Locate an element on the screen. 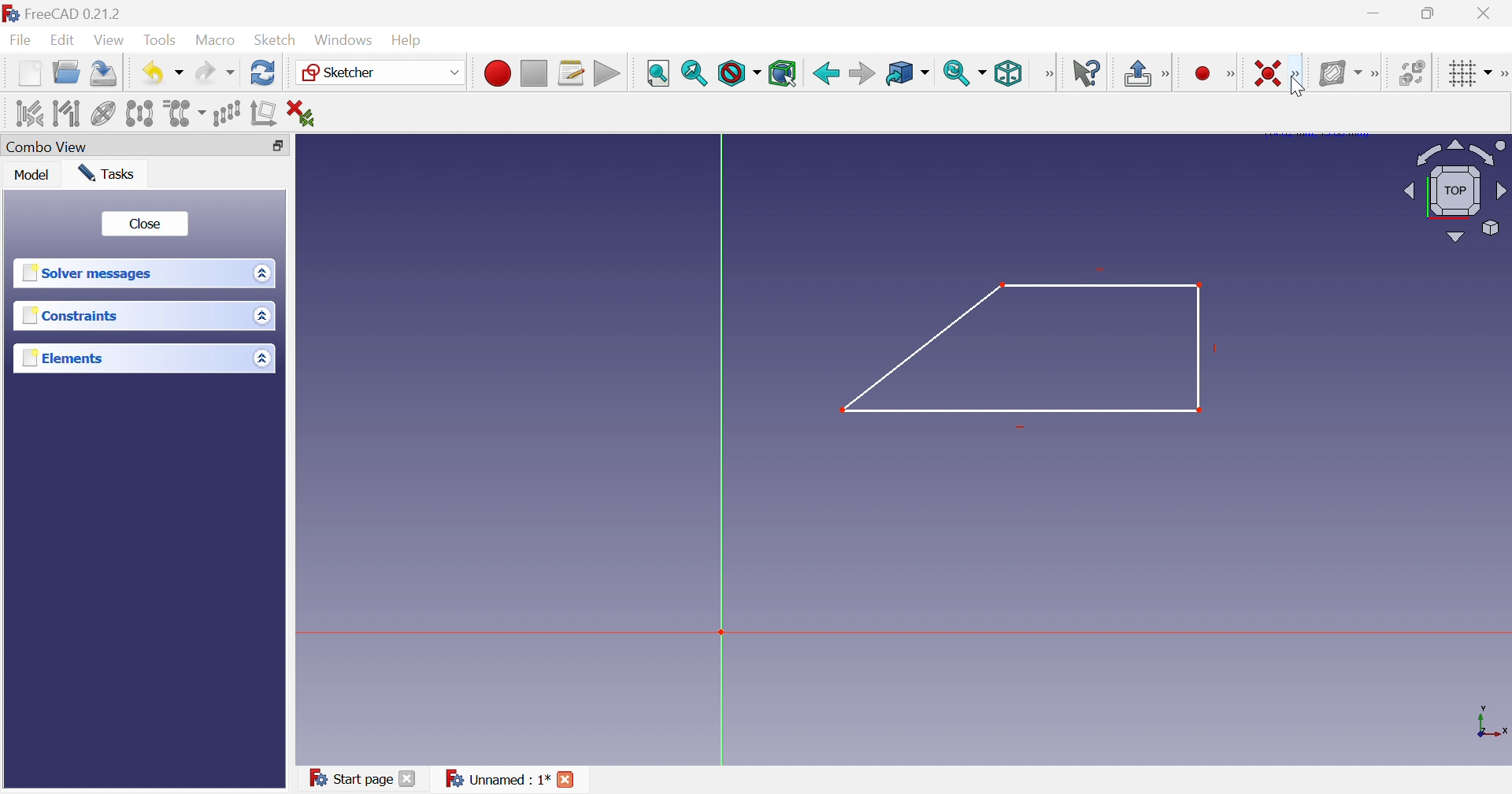 Image resolution: width=1512 pixels, height=794 pixels. Solver messages is located at coordinates (91, 274).